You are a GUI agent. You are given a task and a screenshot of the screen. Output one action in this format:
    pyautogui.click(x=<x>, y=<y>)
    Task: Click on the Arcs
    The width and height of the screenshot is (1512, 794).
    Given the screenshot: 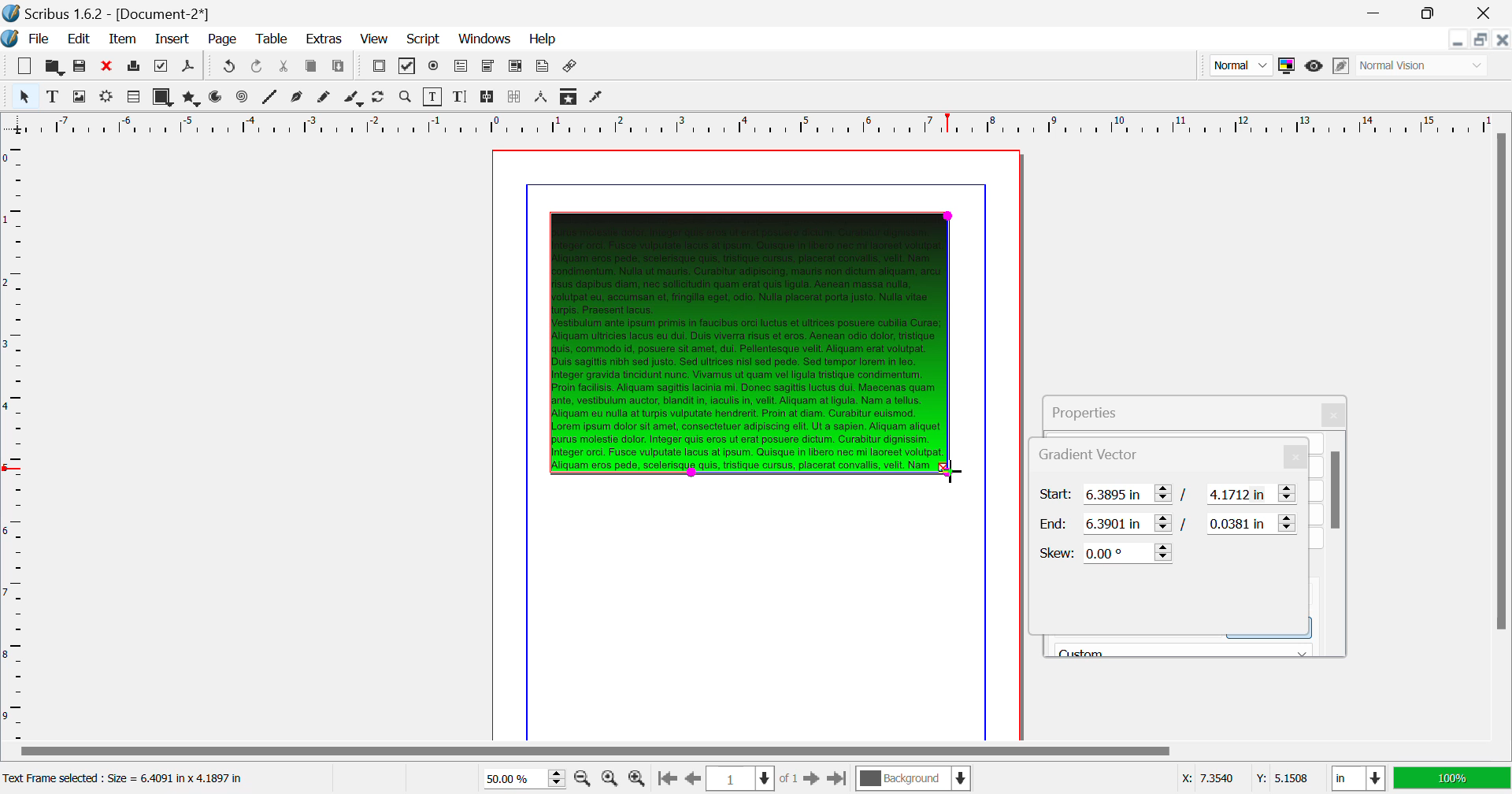 What is the action you would take?
    pyautogui.click(x=217, y=98)
    